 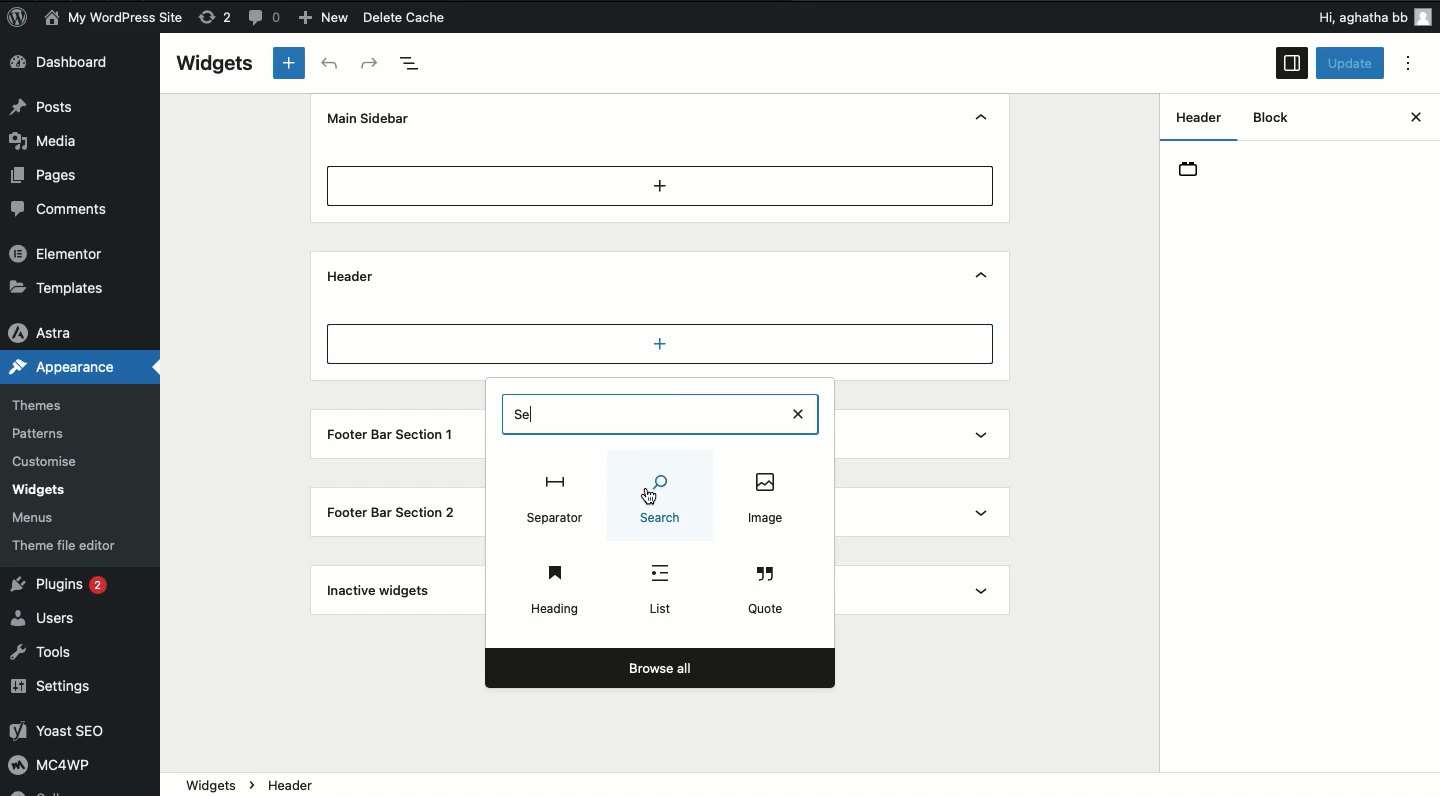 I want to click on search, so click(x=665, y=412).